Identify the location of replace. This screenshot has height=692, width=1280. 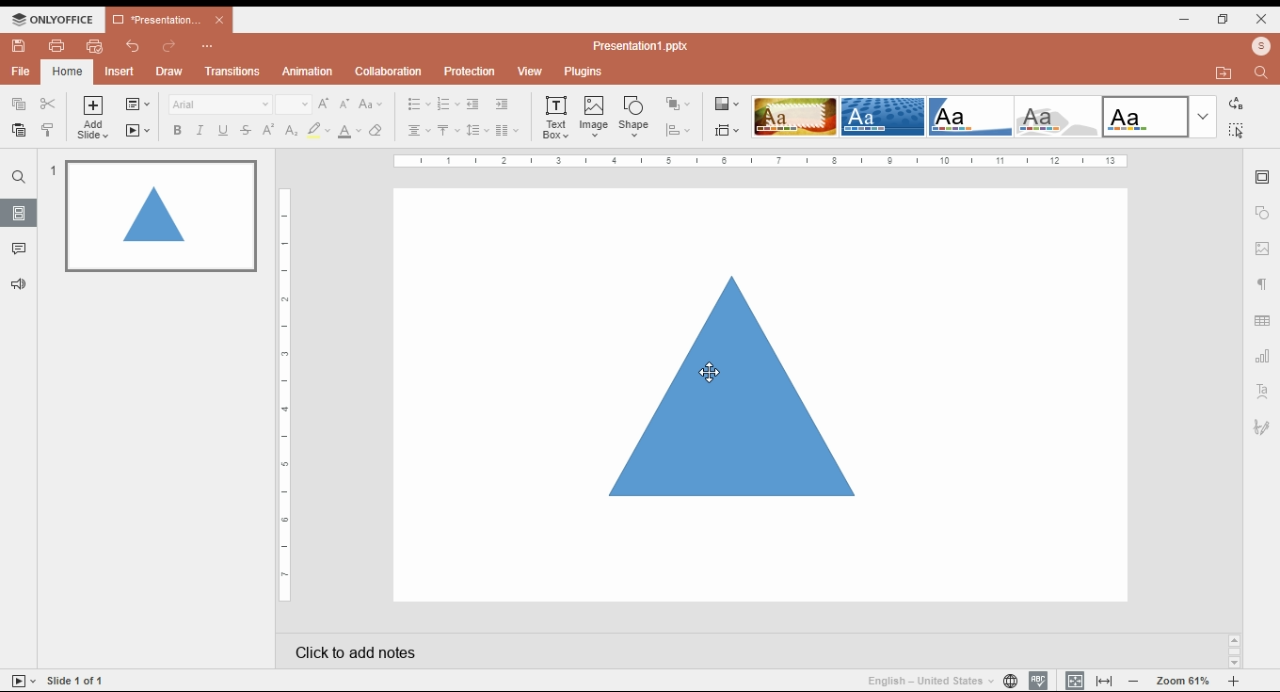
(1235, 103).